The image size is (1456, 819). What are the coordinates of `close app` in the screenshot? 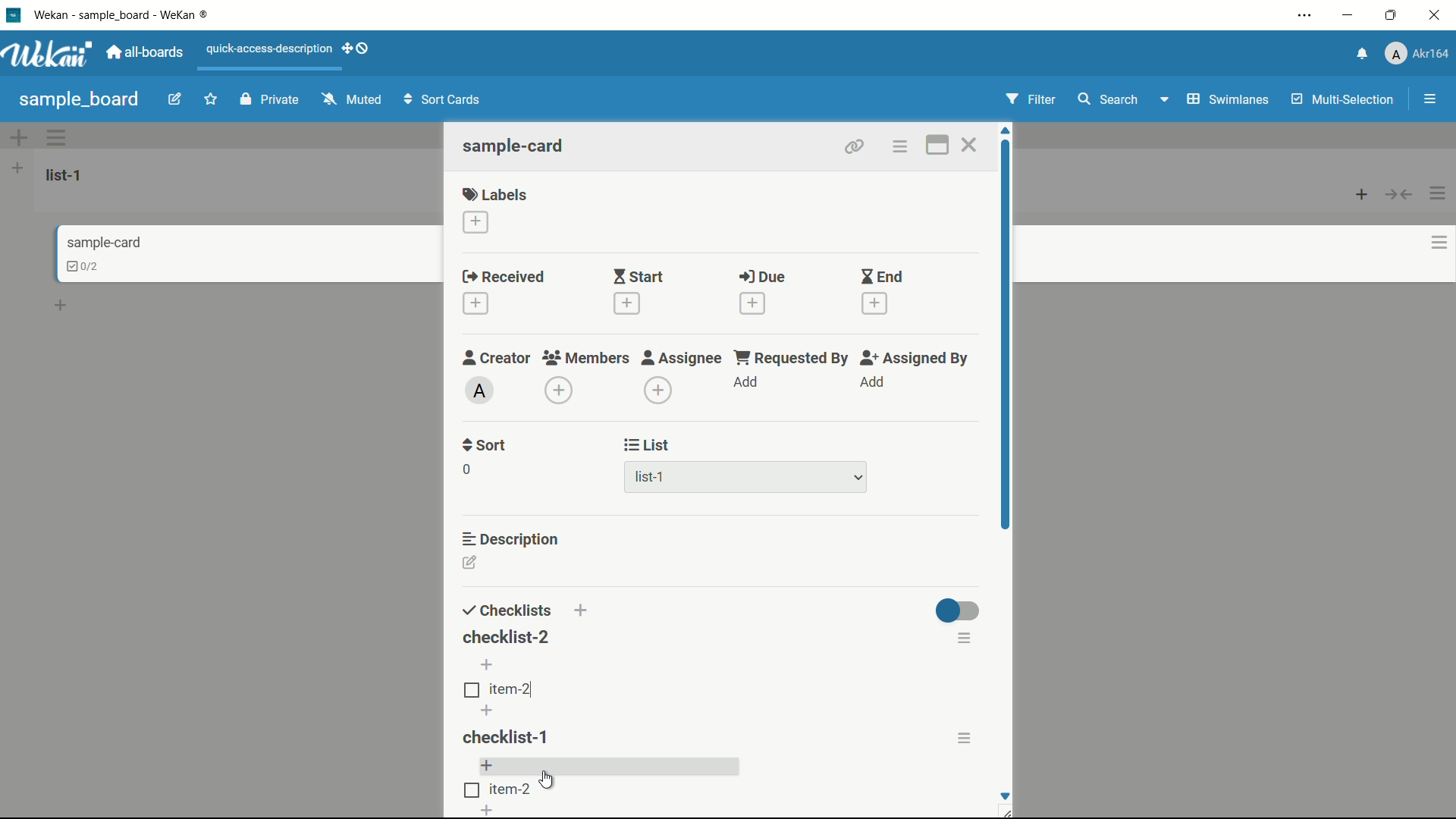 It's located at (1438, 15).